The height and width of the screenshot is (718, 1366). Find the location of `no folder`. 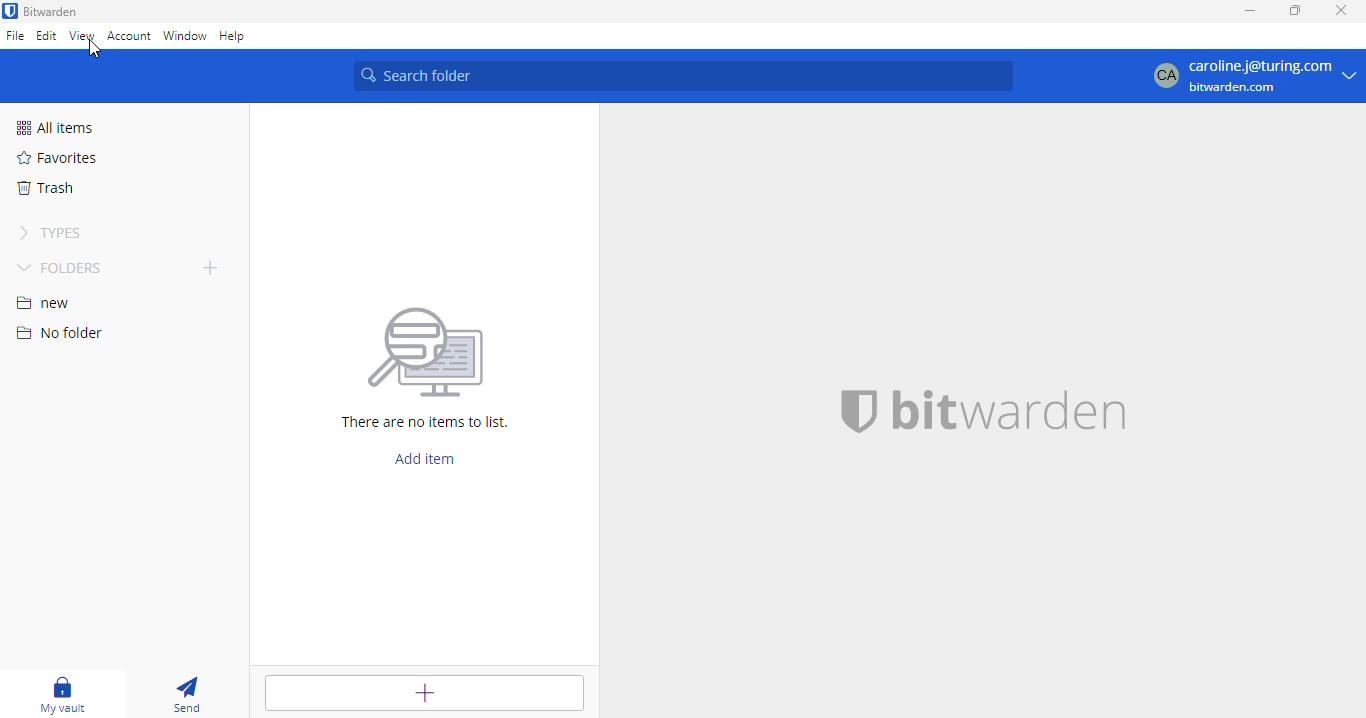

no folder is located at coordinates (58, 332).